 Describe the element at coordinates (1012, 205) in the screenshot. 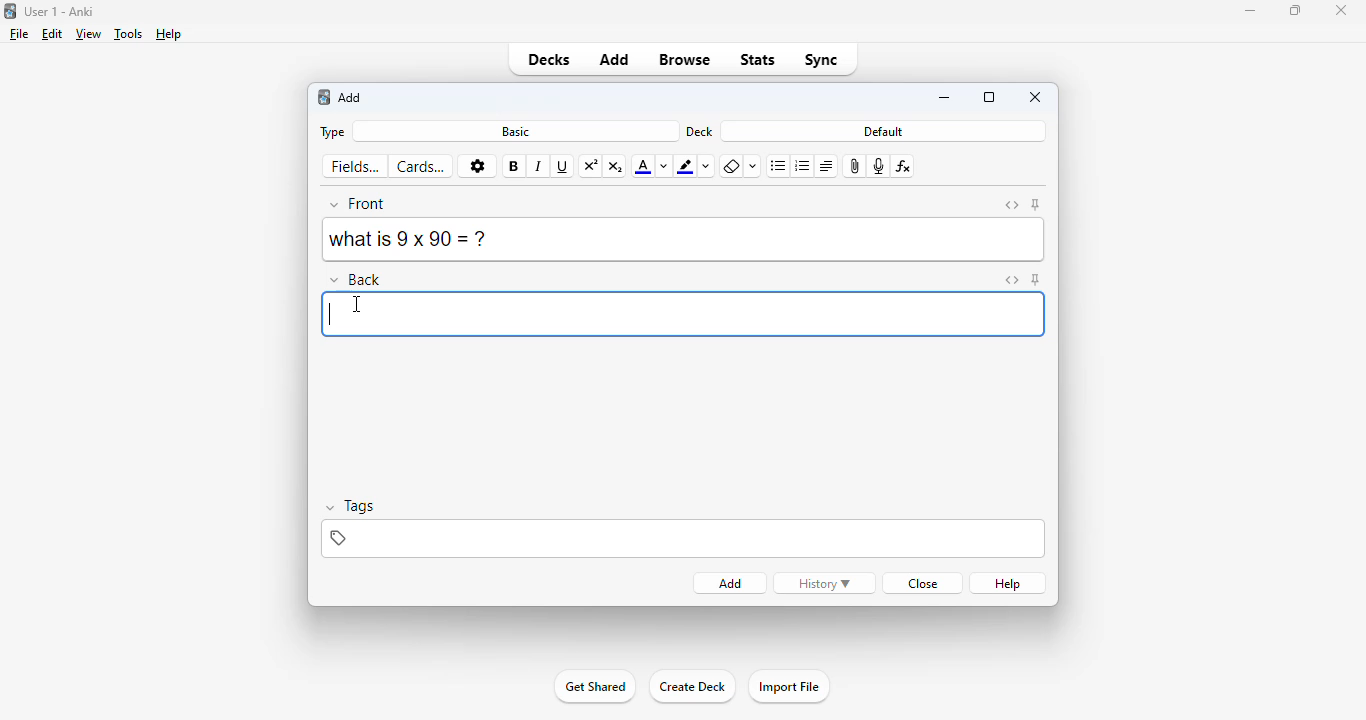

I see `toggle HTML editor` at that location.